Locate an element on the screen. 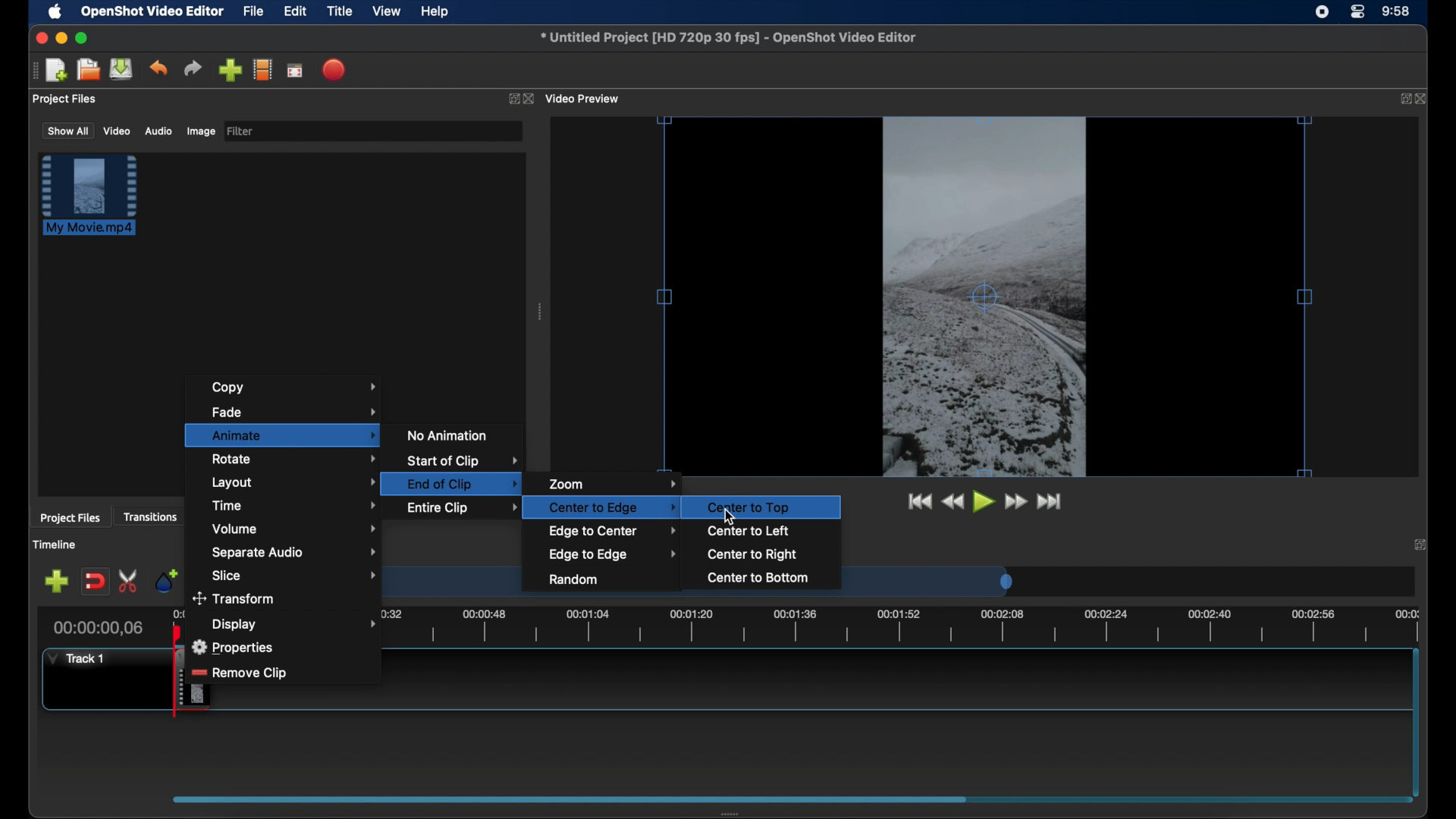  transform is located at coordinates (238, 598).